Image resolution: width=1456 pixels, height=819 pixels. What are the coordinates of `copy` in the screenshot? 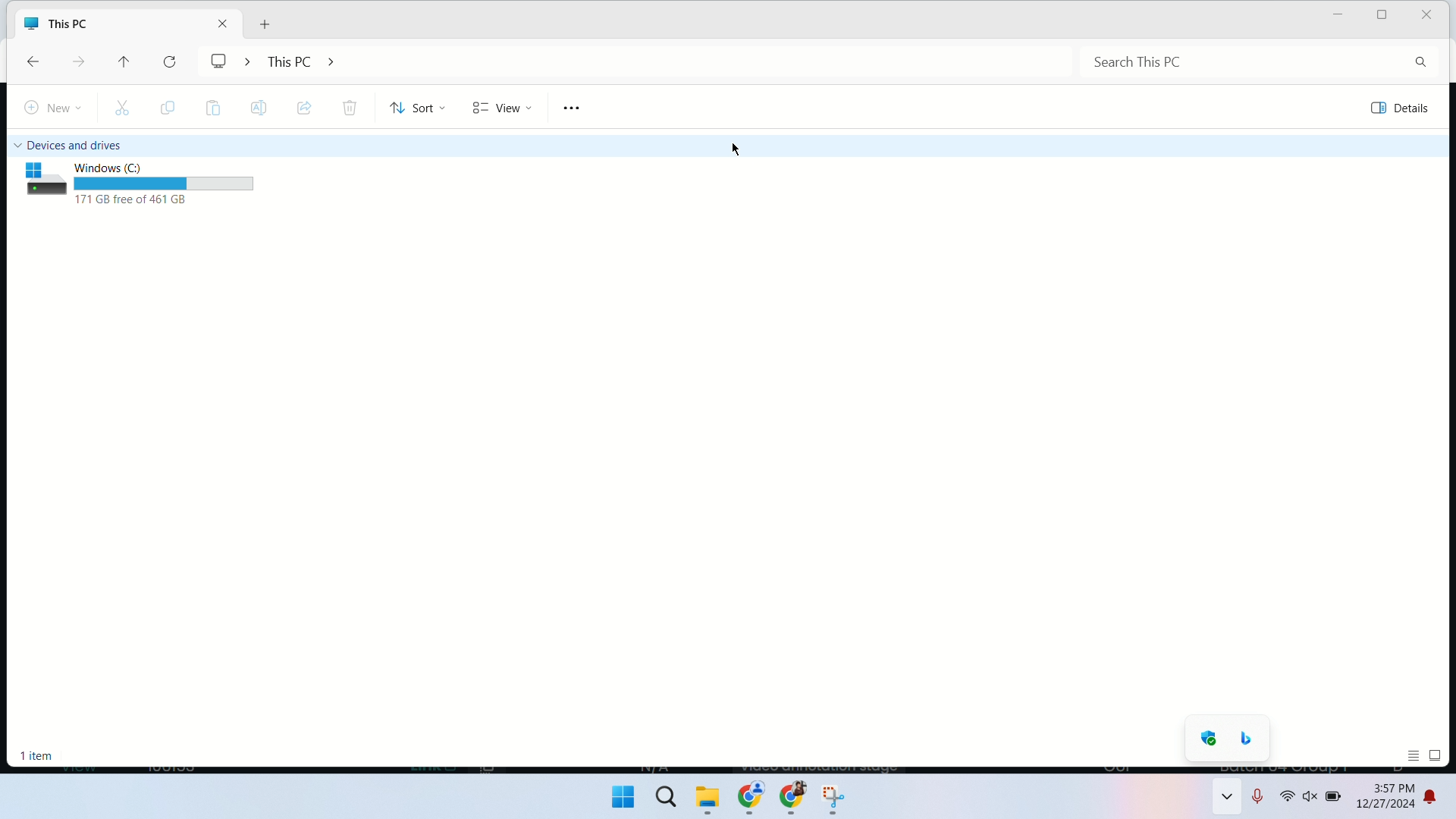 It's located at (171, 106).